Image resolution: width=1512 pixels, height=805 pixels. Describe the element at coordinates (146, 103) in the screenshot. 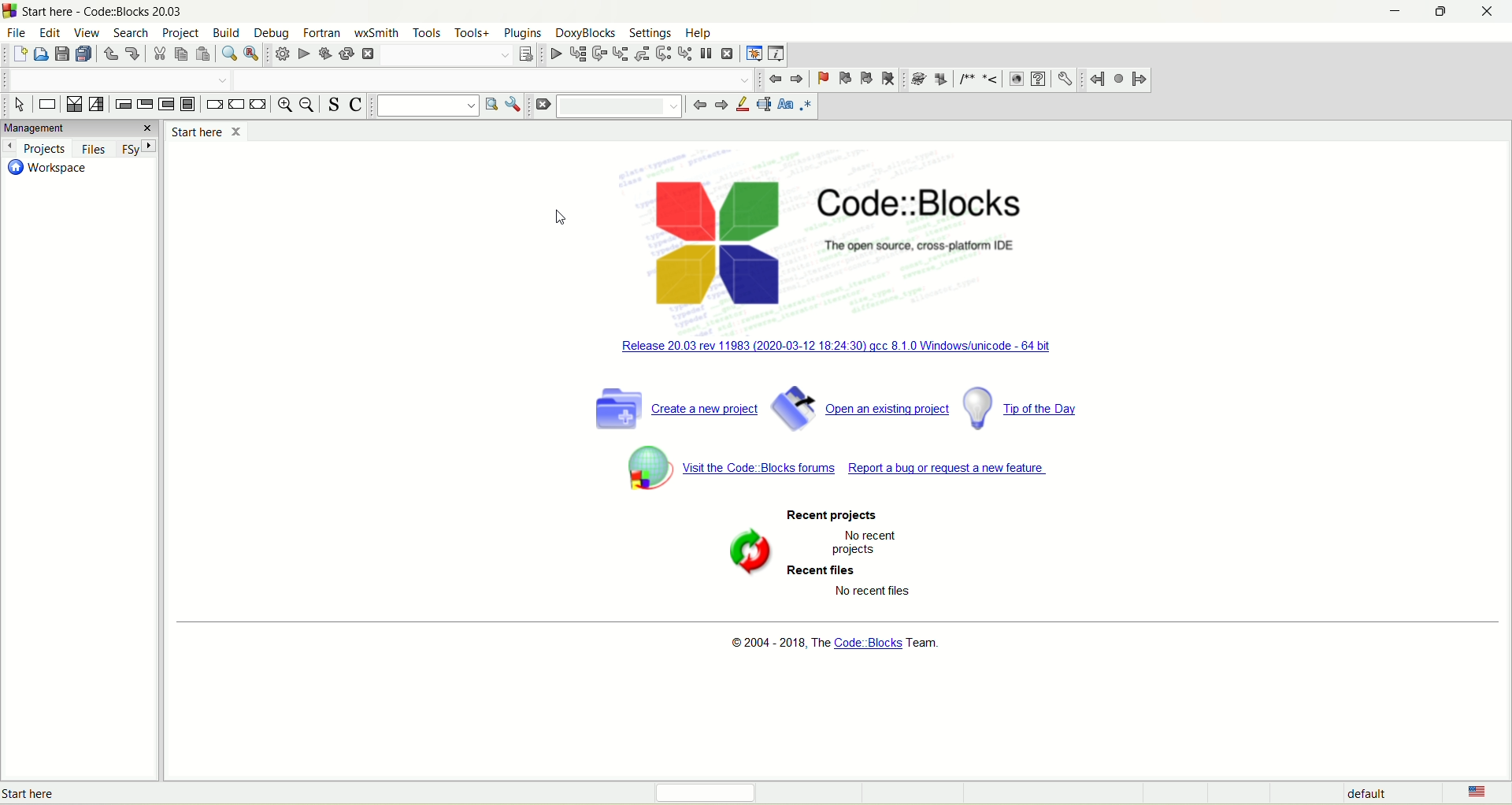

I see `exit condition loop` at that location.